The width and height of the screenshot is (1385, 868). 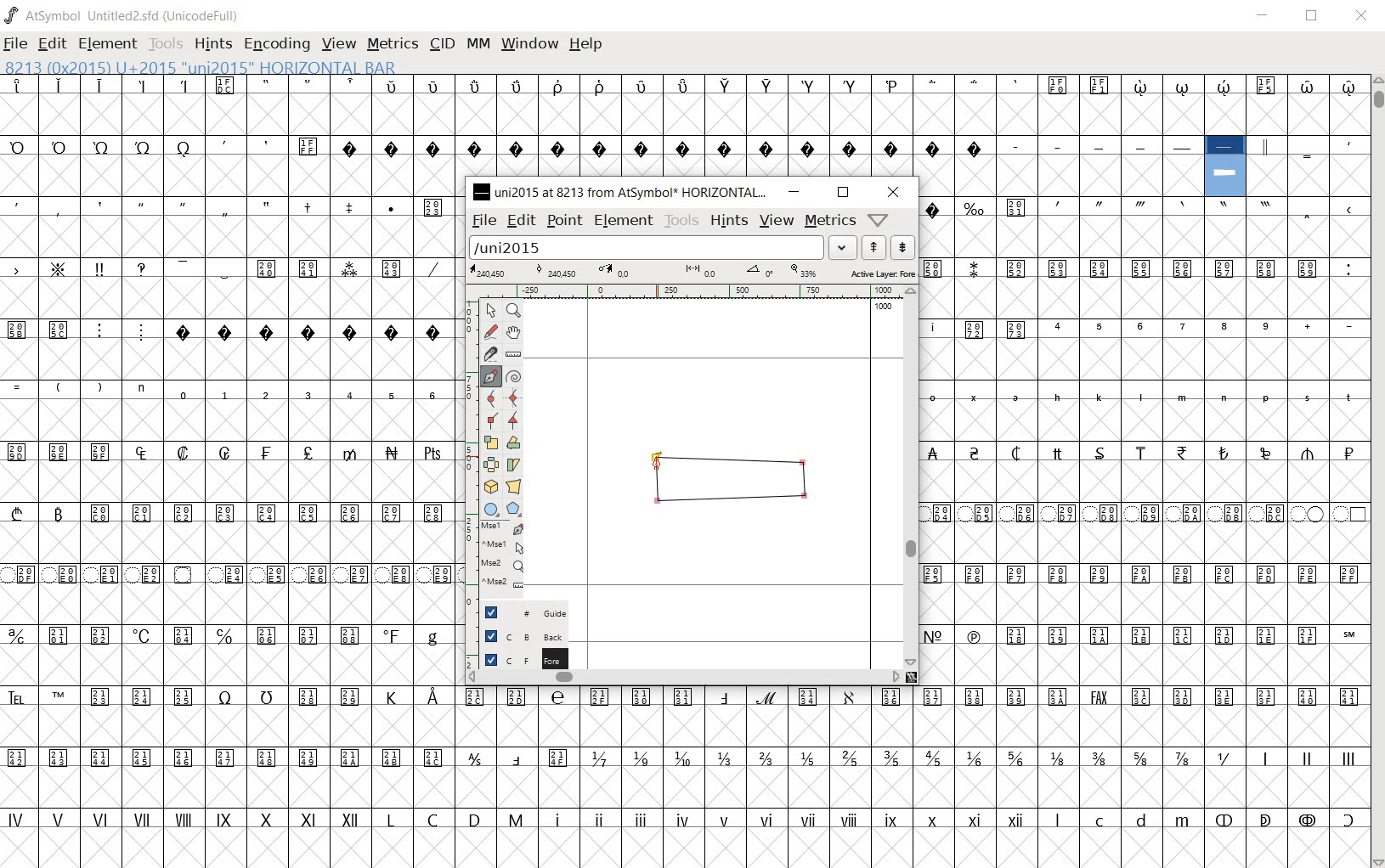 What do you see at coordinates (516, 658) in the screenshot?
I see `Foreground` at bounding box center [516, 658].